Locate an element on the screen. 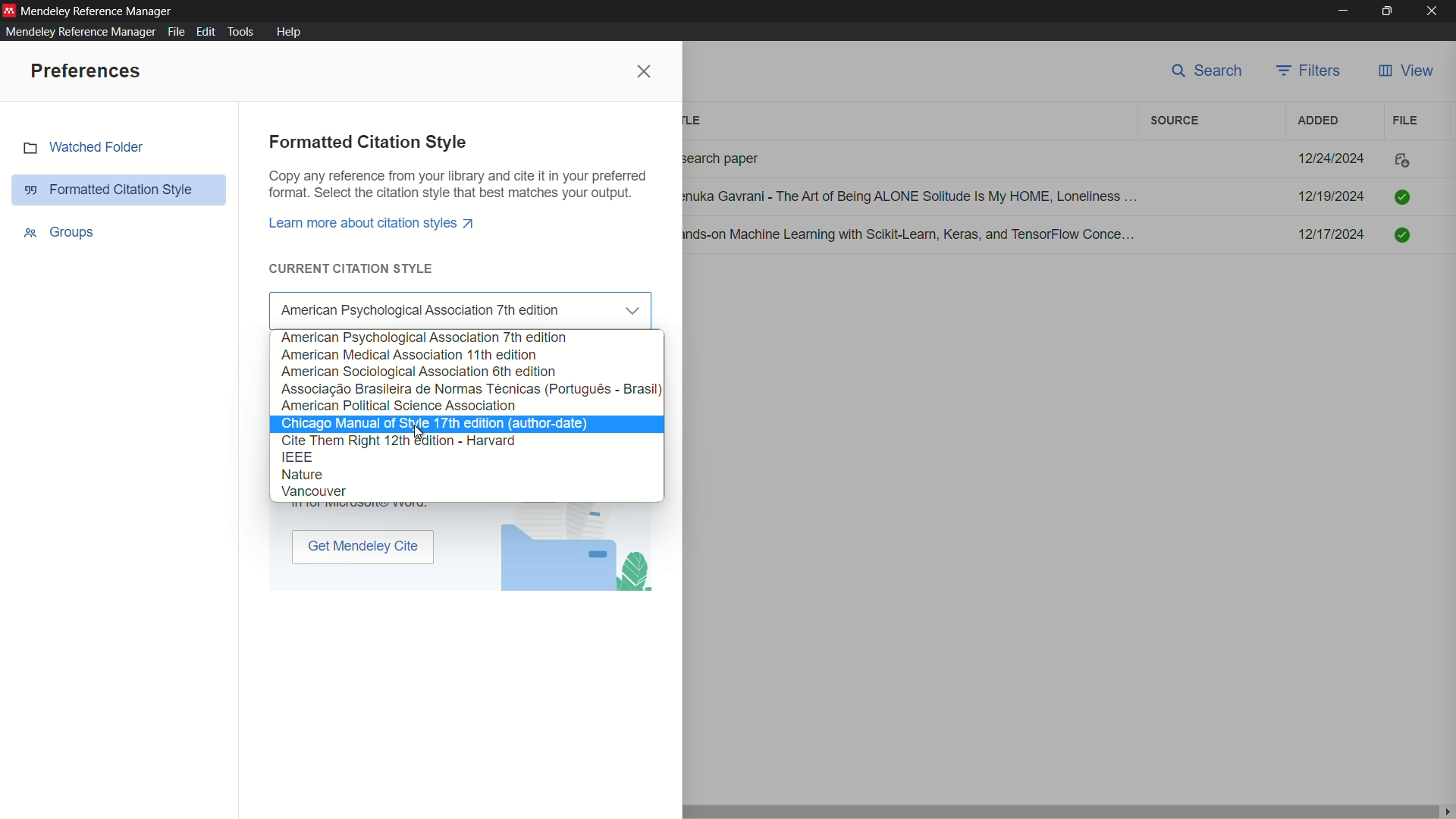  file is located at coordinates (1406, 120).